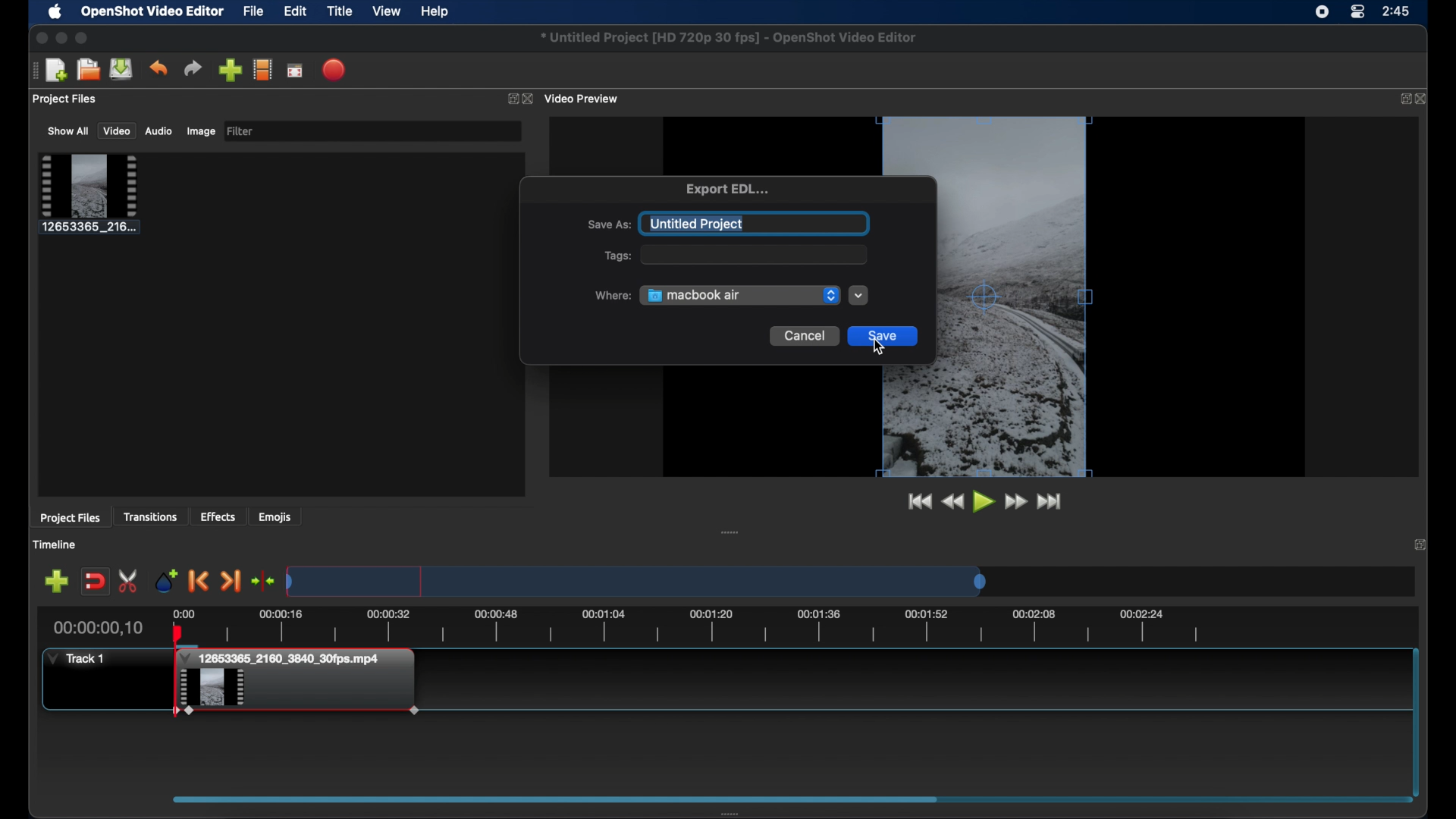  Describe the element at coordinates (859, 294) in the screenshot. I see `dropdown menu` at that location.